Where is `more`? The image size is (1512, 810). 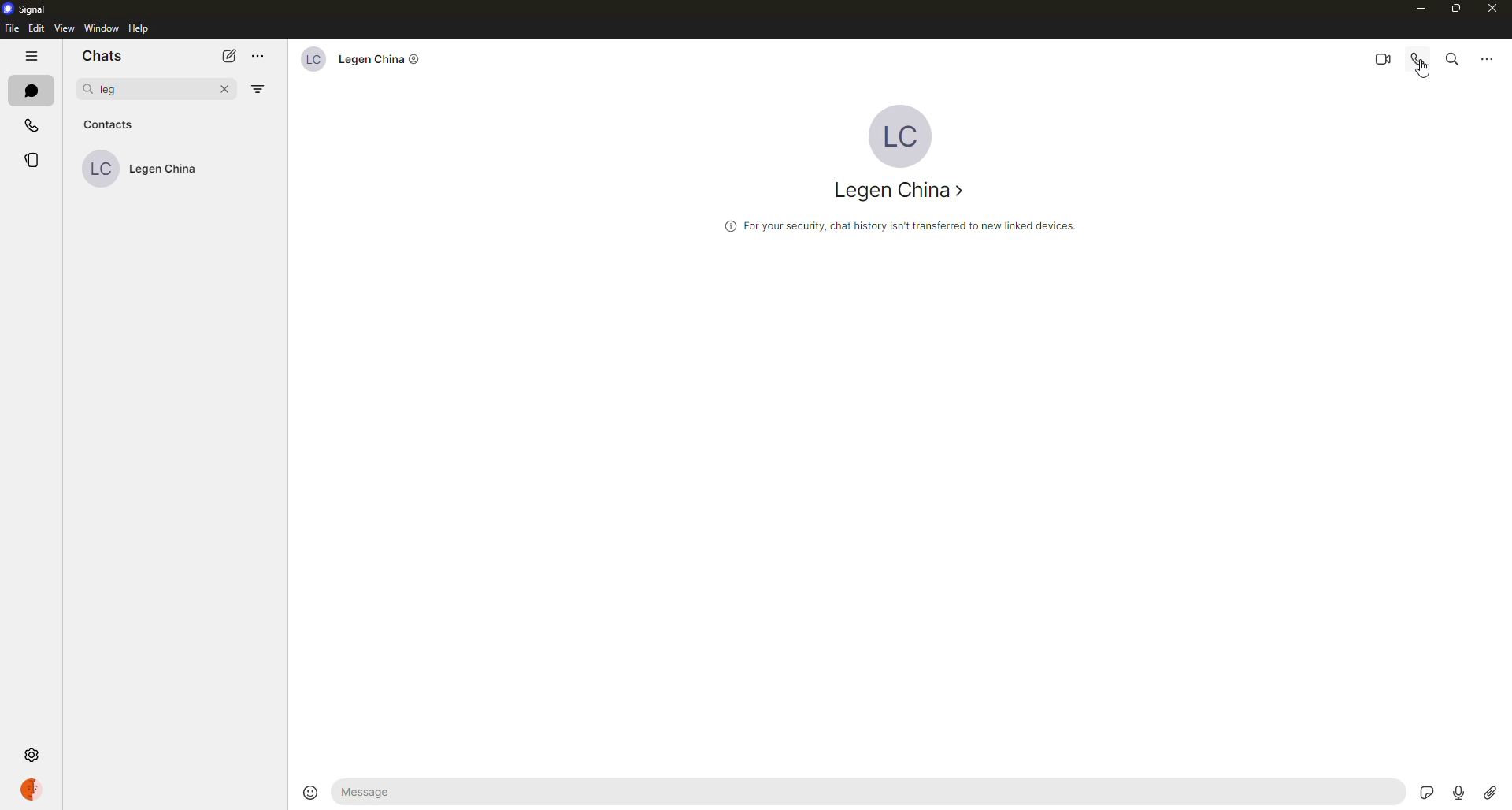
more is located at coordinates (260, 56).